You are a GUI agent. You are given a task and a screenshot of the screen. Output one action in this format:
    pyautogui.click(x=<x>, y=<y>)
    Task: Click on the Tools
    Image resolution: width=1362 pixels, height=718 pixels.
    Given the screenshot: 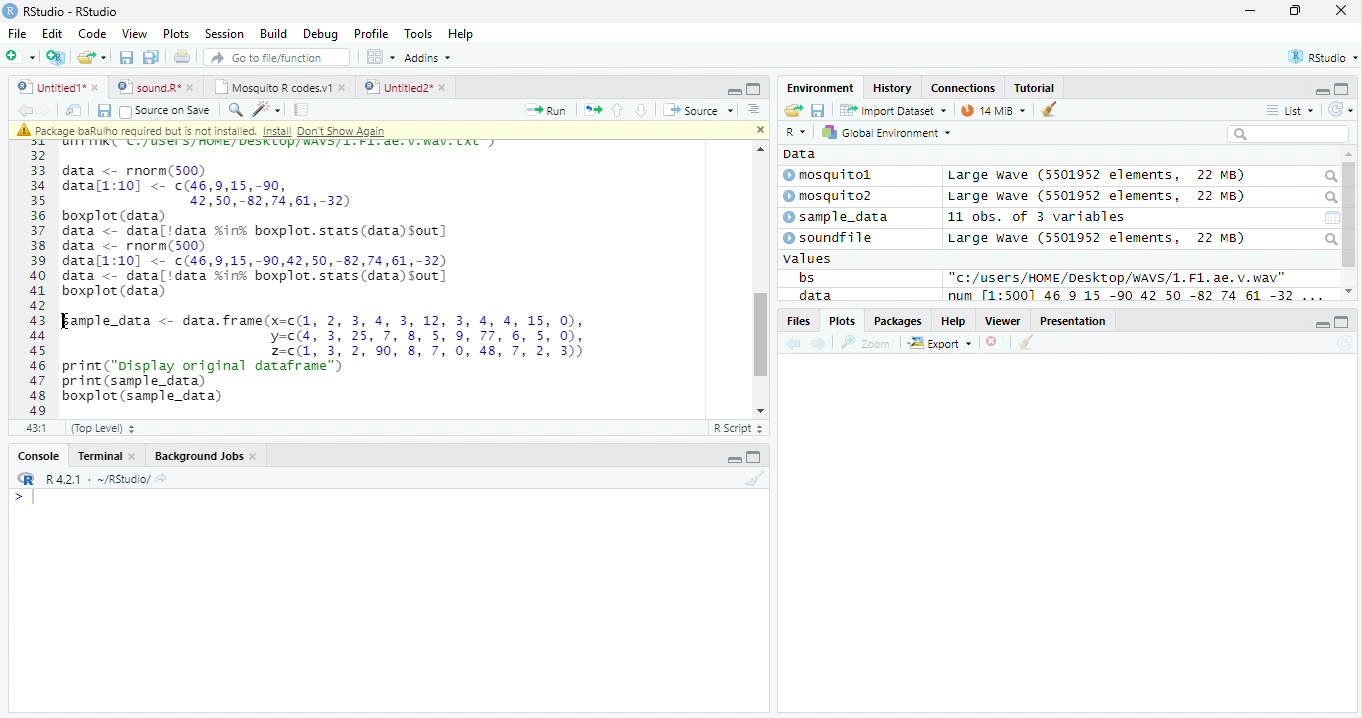 What is the action you would take?
    pyautogui.click(x=418, y=35)
    